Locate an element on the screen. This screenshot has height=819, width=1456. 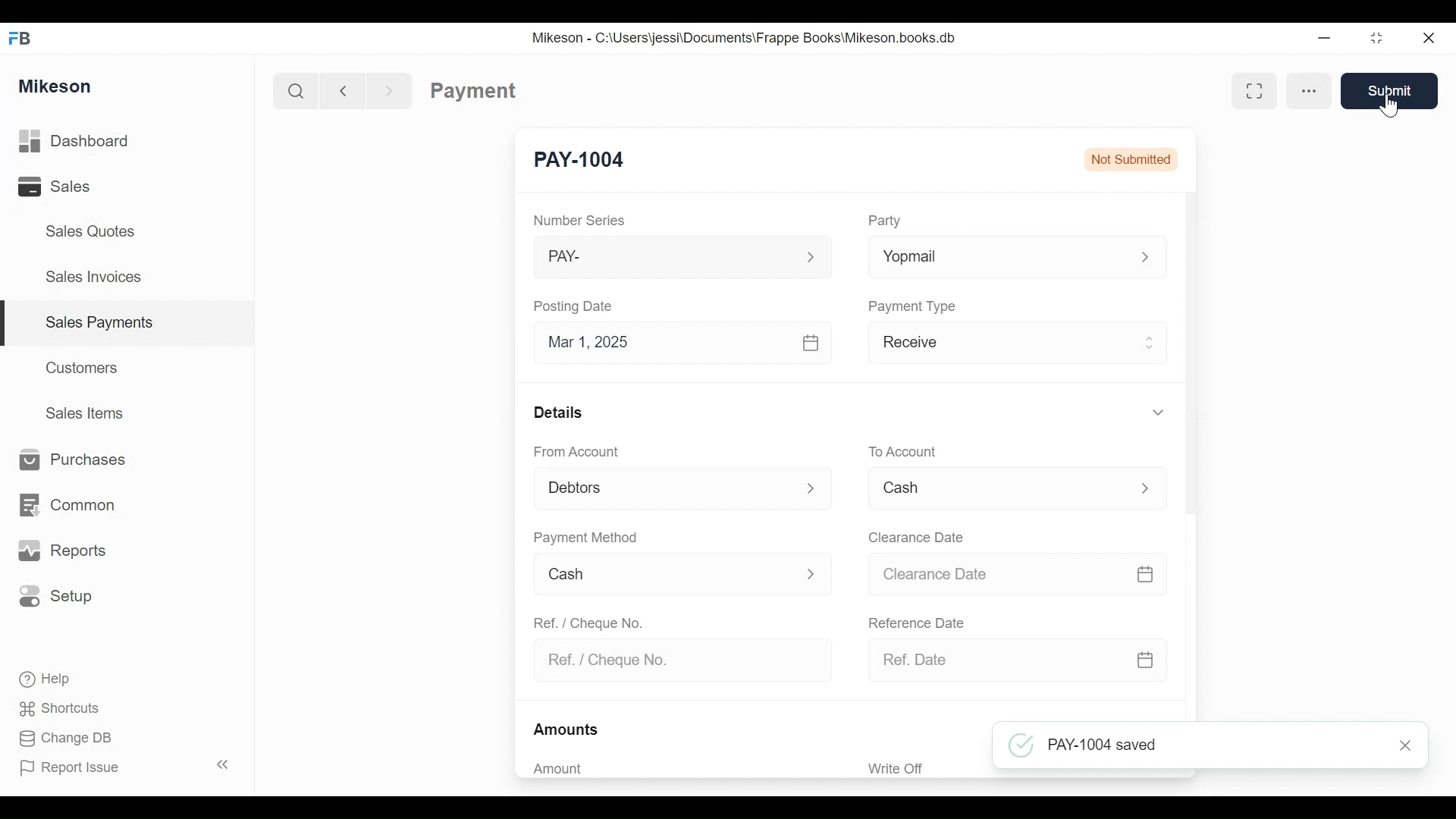
Minimize is located at coordinates (1324, 40).